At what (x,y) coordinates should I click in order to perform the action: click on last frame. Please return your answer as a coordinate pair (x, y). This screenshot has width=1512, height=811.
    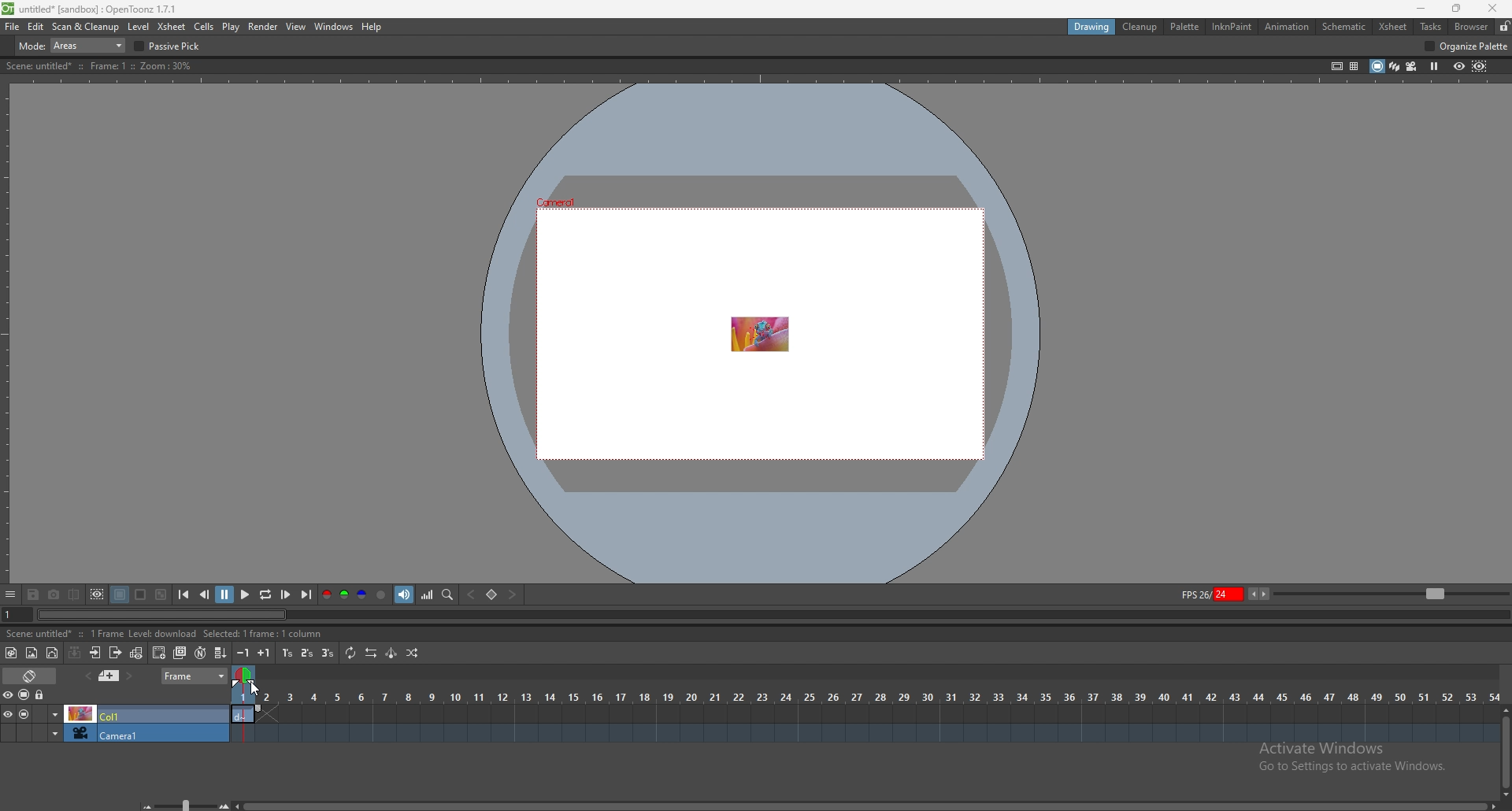
    Looking at the image, I should click on (306, 594).